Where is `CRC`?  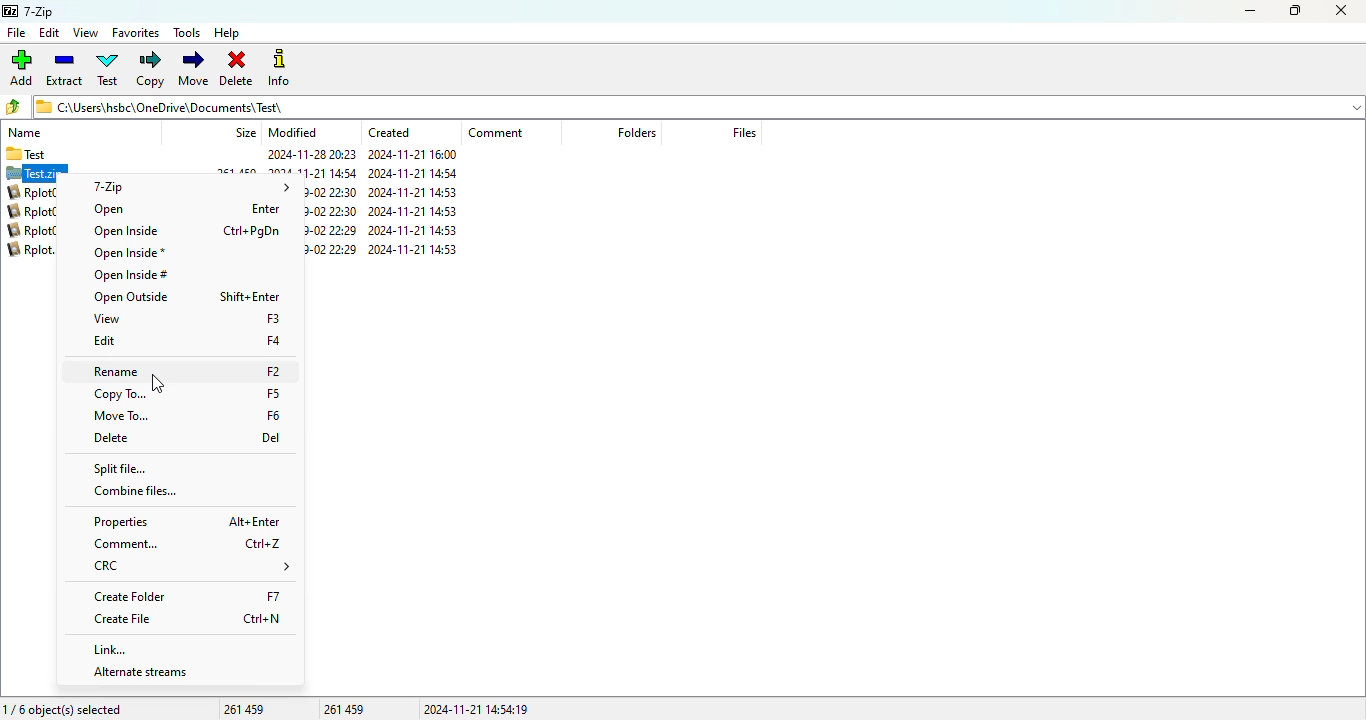 CRC is located at coordinates (189, 567).